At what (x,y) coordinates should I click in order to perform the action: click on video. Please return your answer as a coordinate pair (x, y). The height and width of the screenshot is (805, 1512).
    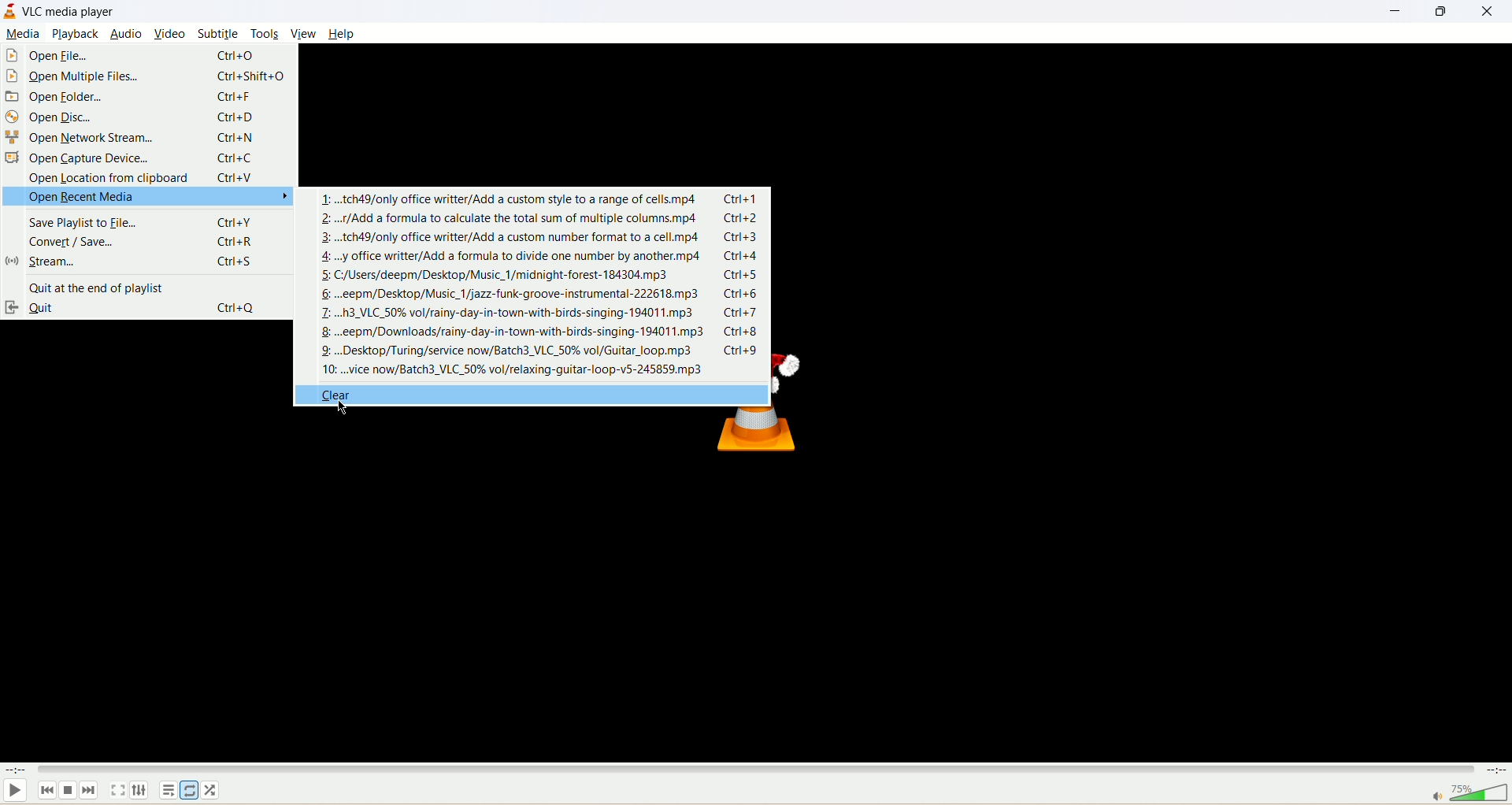
    Looking at the image, I should click on (172, 35).